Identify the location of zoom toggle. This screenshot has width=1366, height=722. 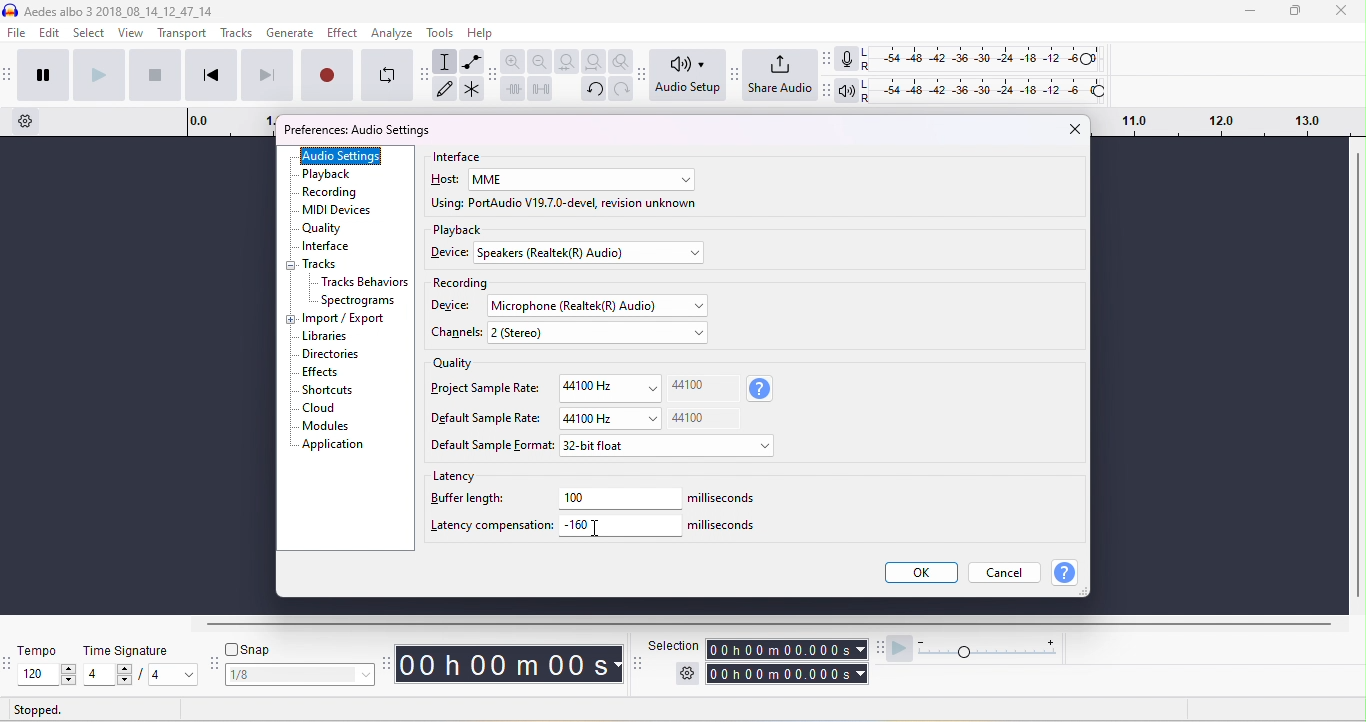
(622, 61).